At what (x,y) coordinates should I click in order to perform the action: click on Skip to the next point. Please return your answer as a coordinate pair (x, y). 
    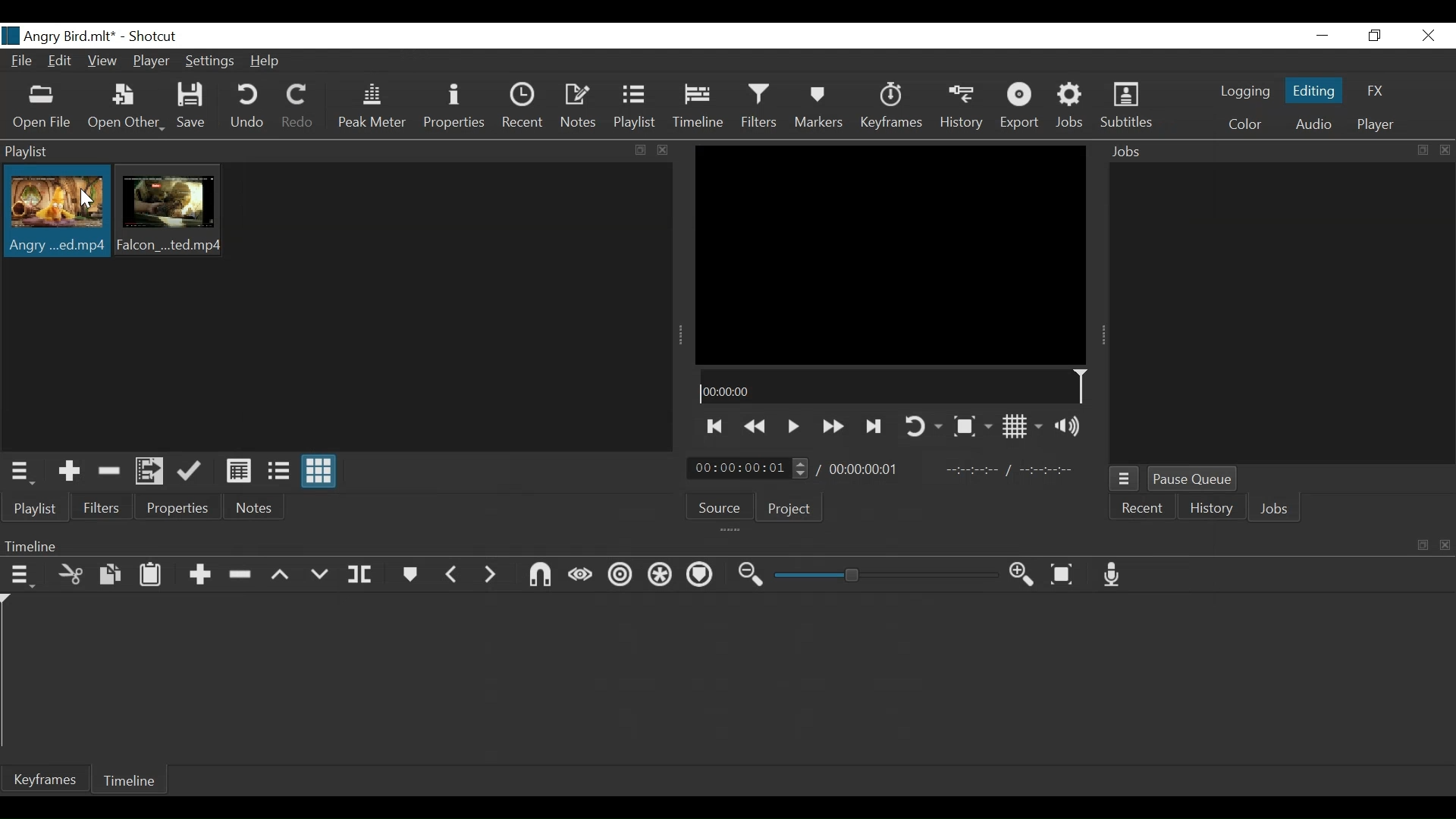
    Looking at the image, I should click on (715, 427).